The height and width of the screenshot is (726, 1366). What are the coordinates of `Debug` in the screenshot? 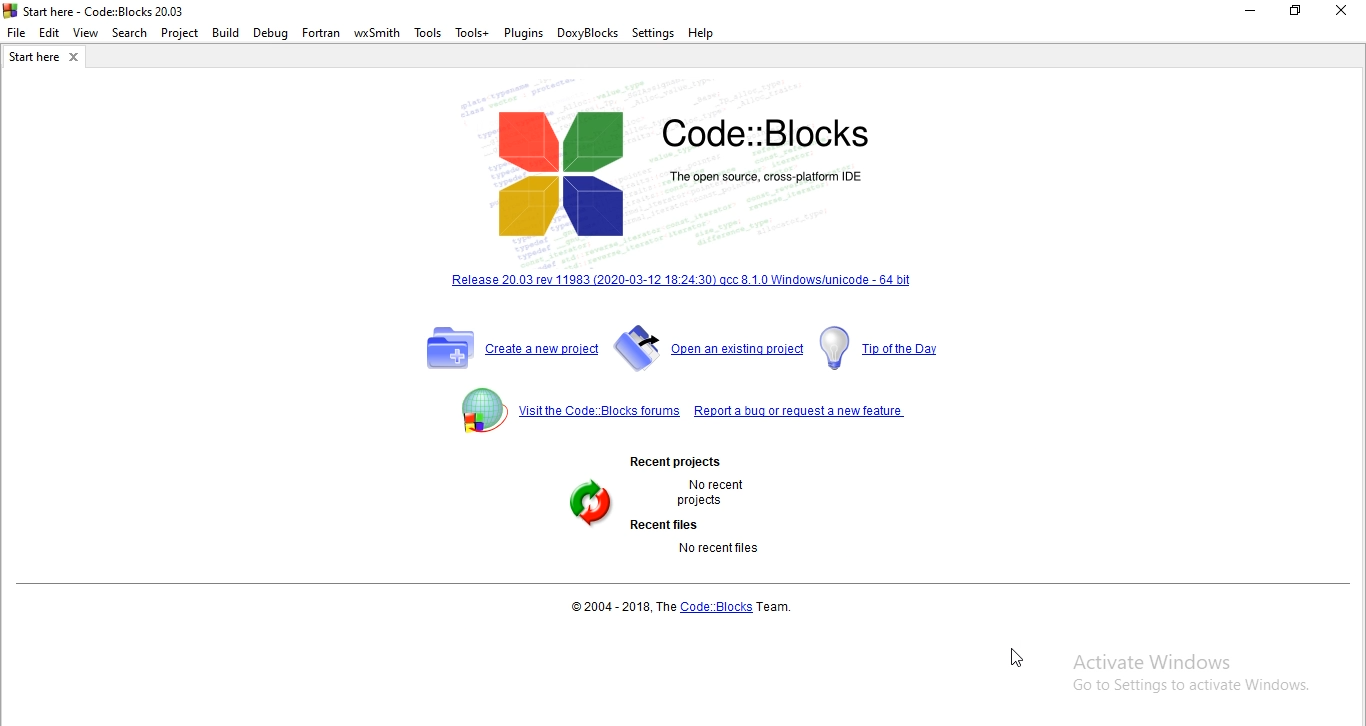 It's located at (270, 34).